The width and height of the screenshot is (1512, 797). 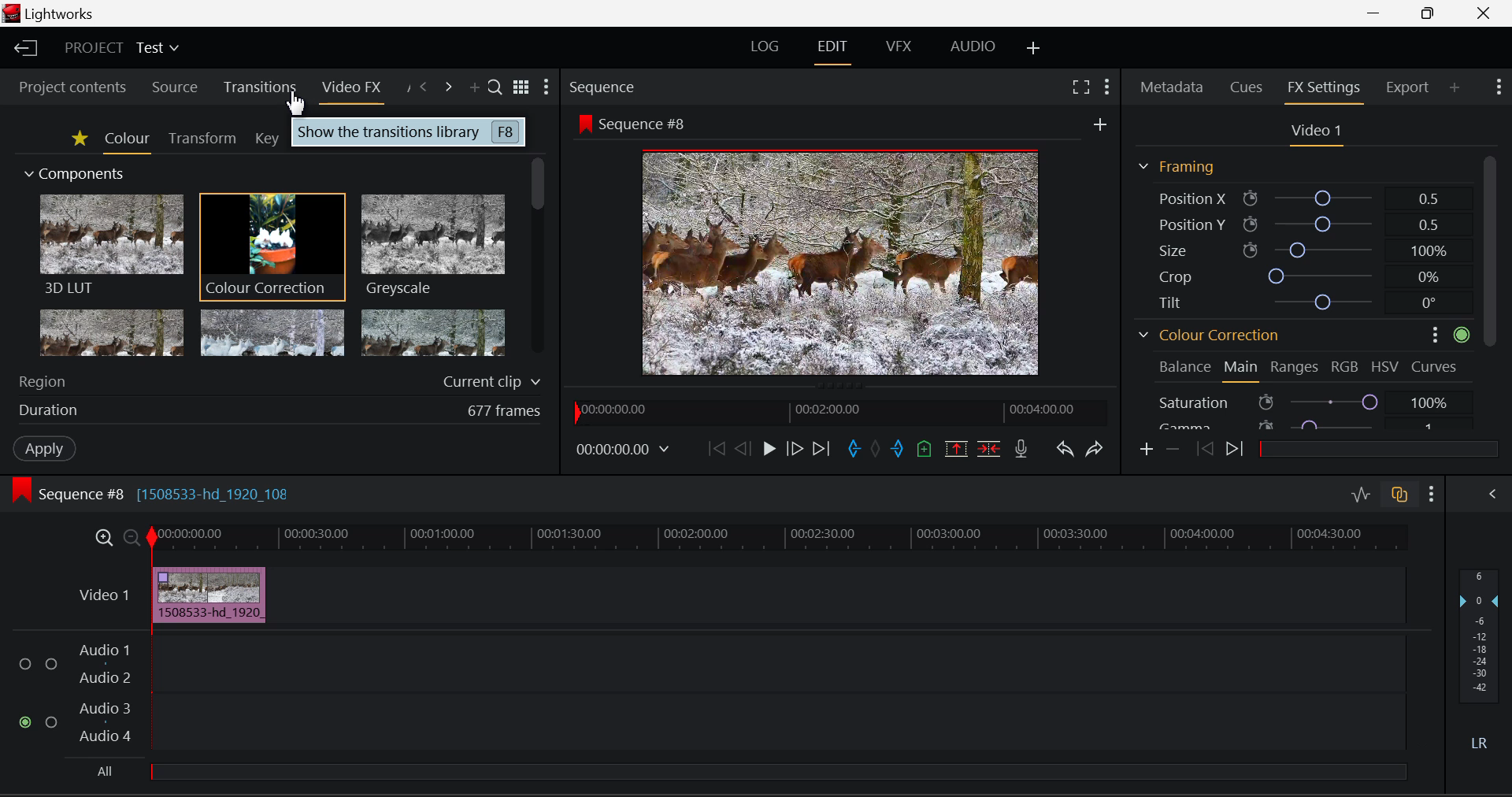 I want to click on Glow, so click(x=113, y=332).